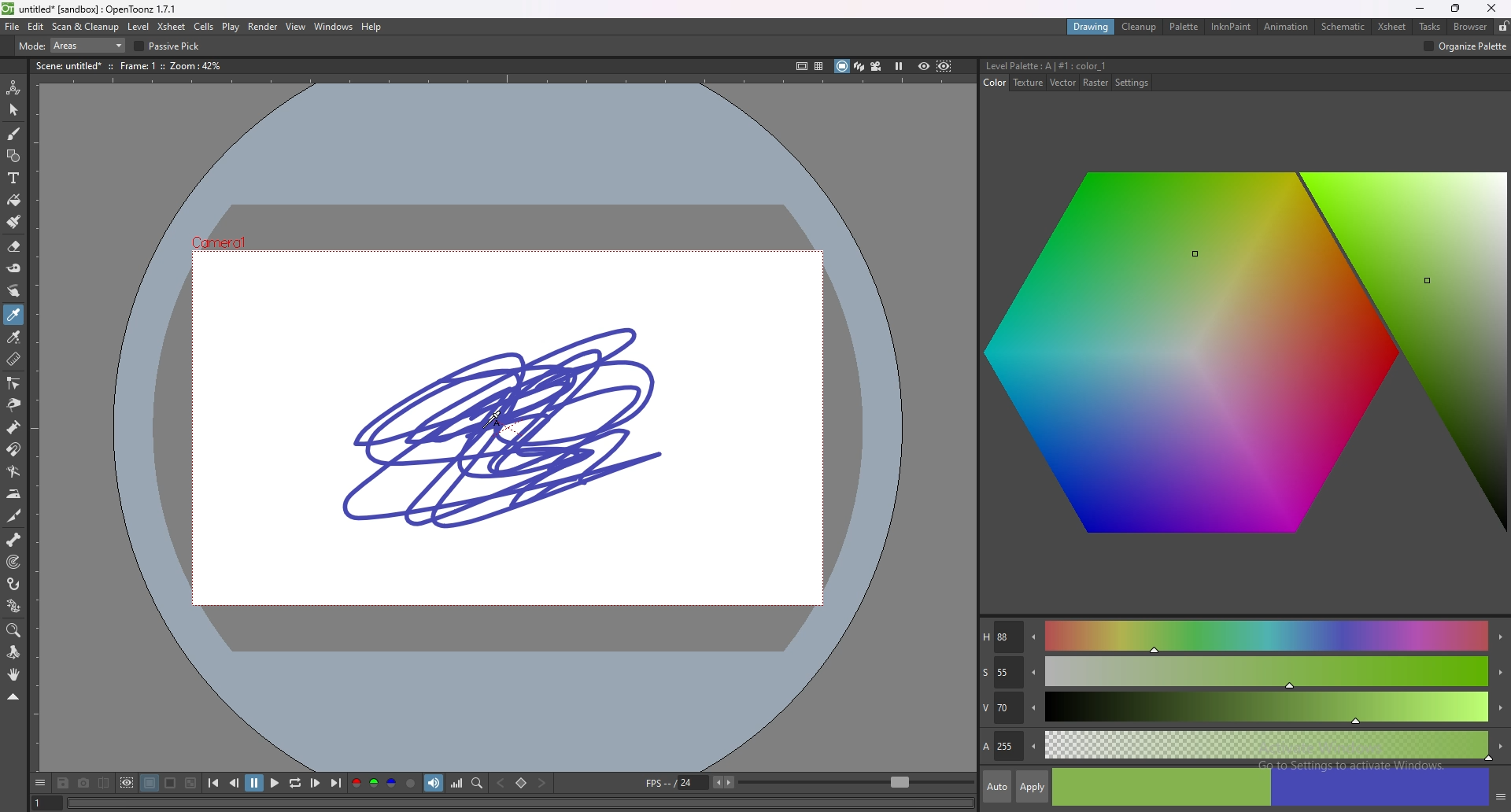 Image resolution: width=1511 pixels, height=812 pixels. Describe the element at coordinates (297, 27) in the screenshot. I see `view` at that location.